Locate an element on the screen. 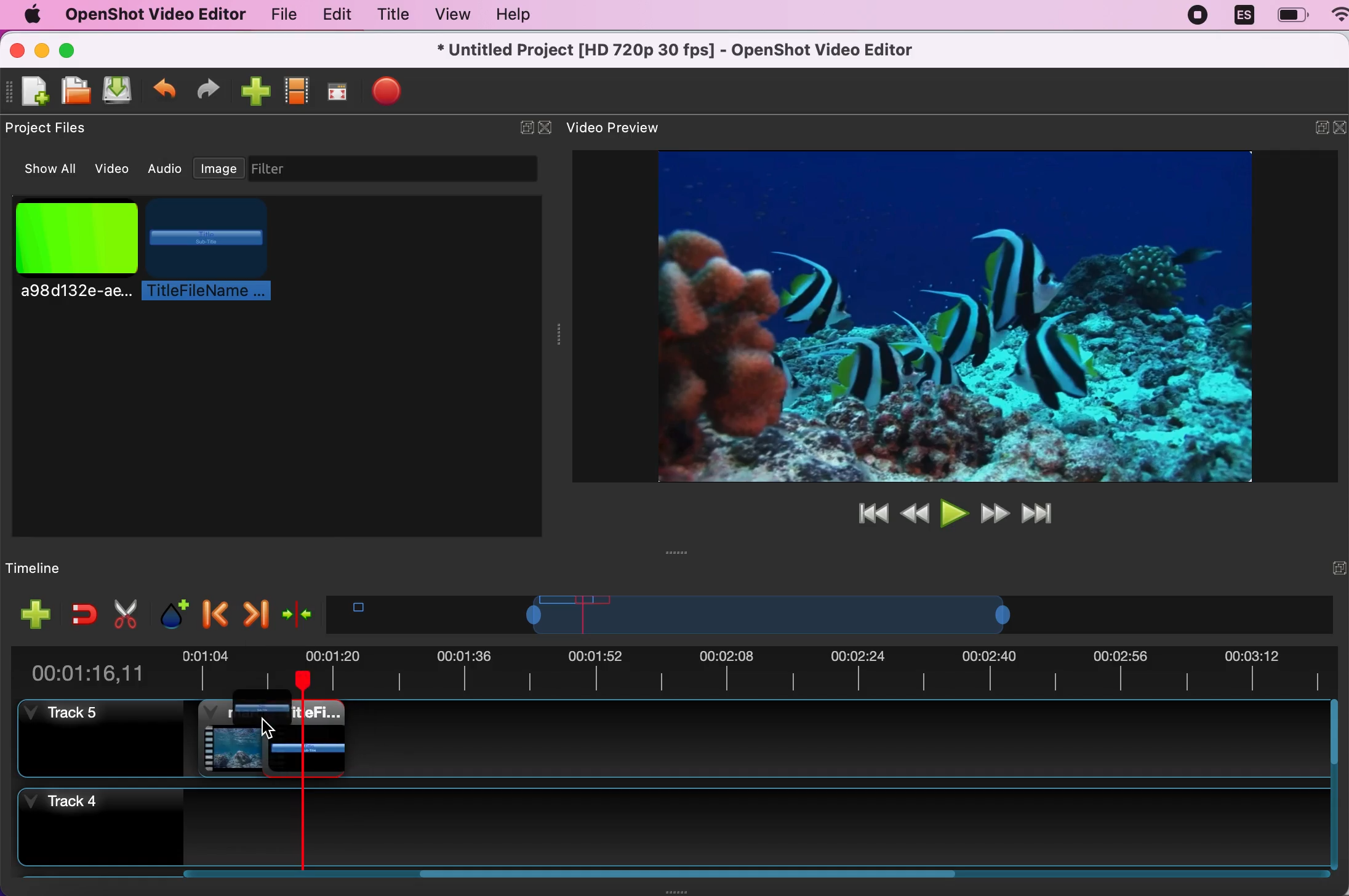 This screenshot has height=896, width=1349. show all is located at coordinates (44, 169).